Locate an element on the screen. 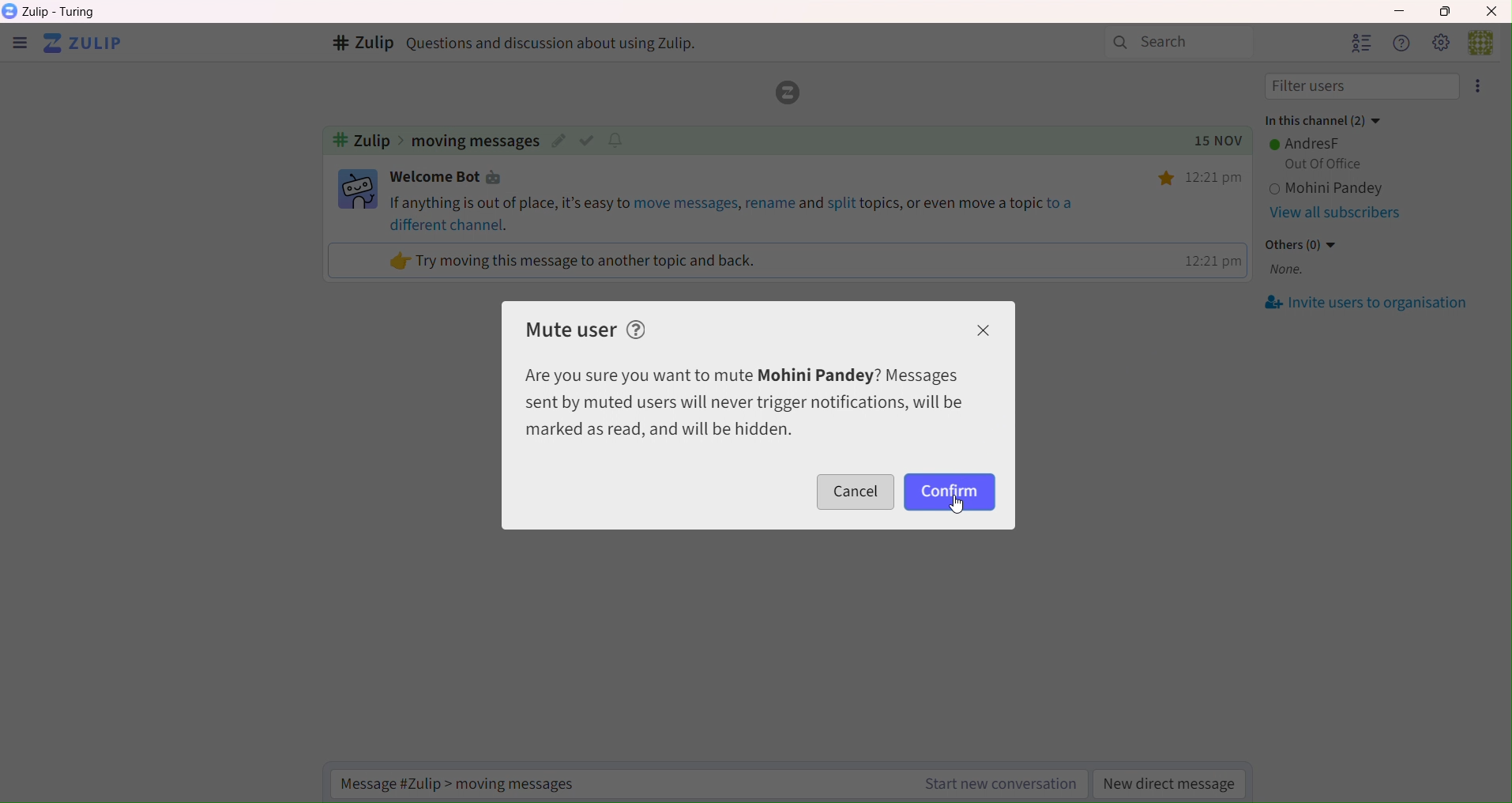 This screenshot has height=803, width=1512. View All subscribers is located at coordinates (1334, 214).